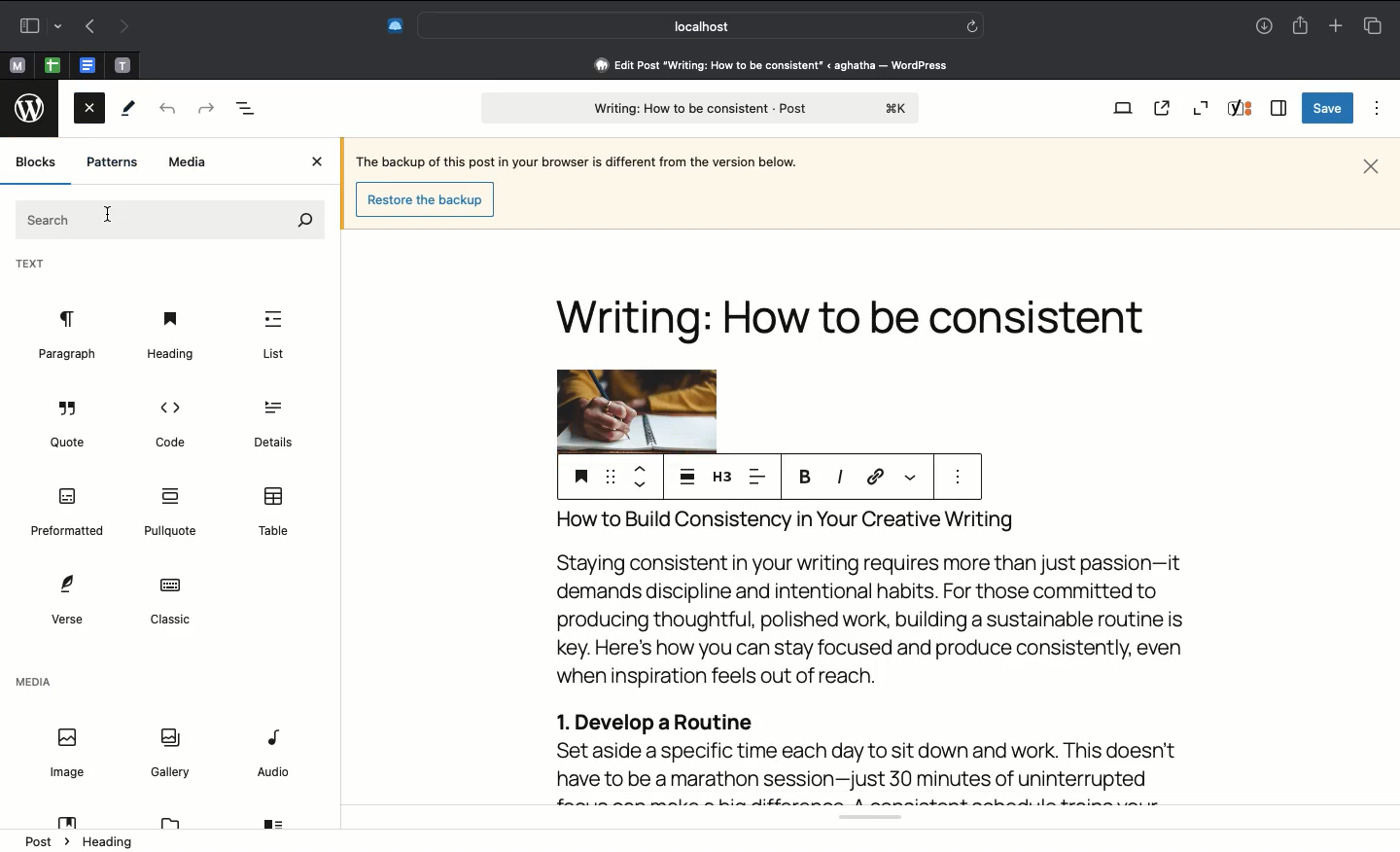  What do you see at coordinates (112, 162) in the screenshot?
I see `Patterns` at bounding box center [112, 162].